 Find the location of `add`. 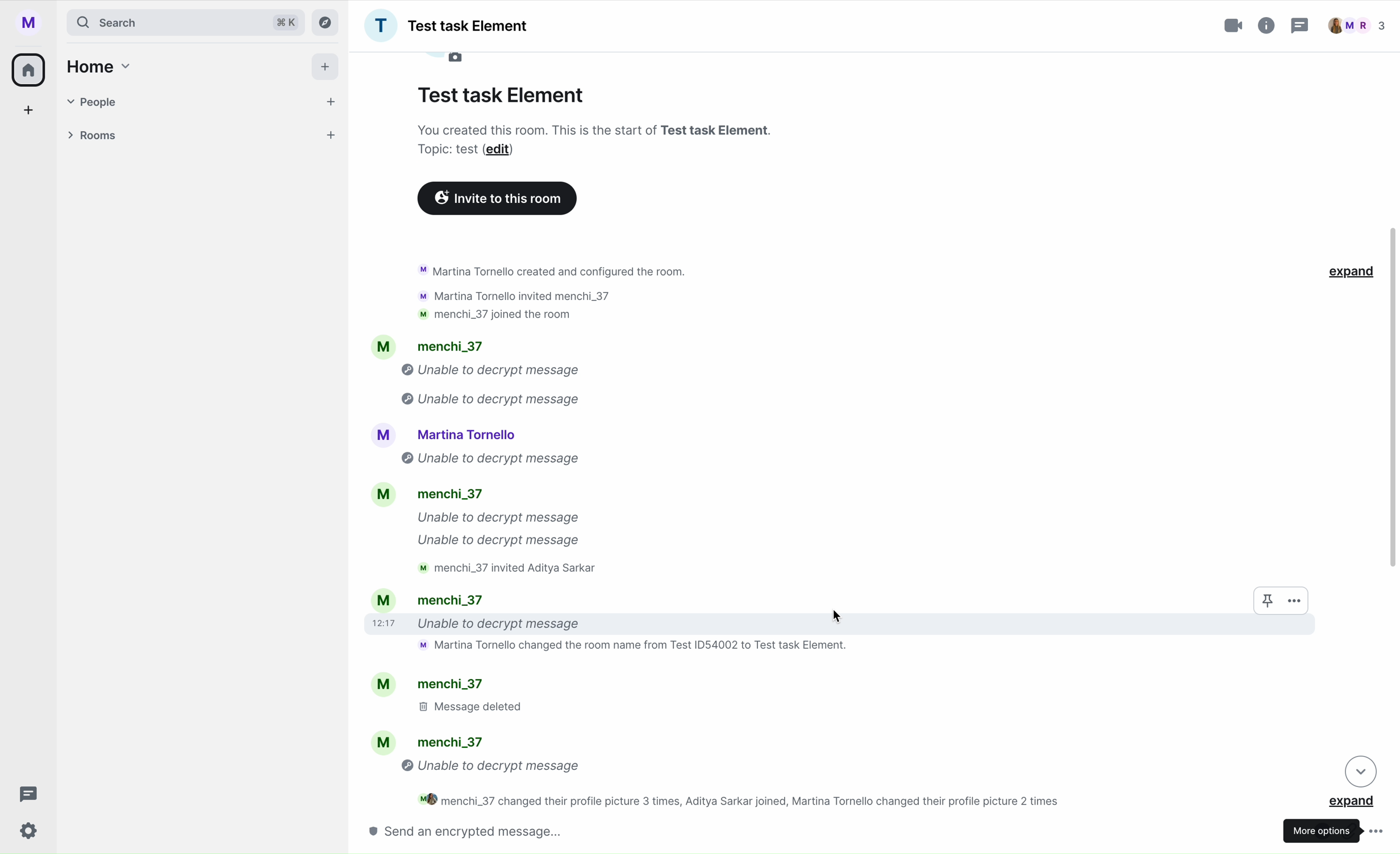

add is located at coordinates (30, 113).